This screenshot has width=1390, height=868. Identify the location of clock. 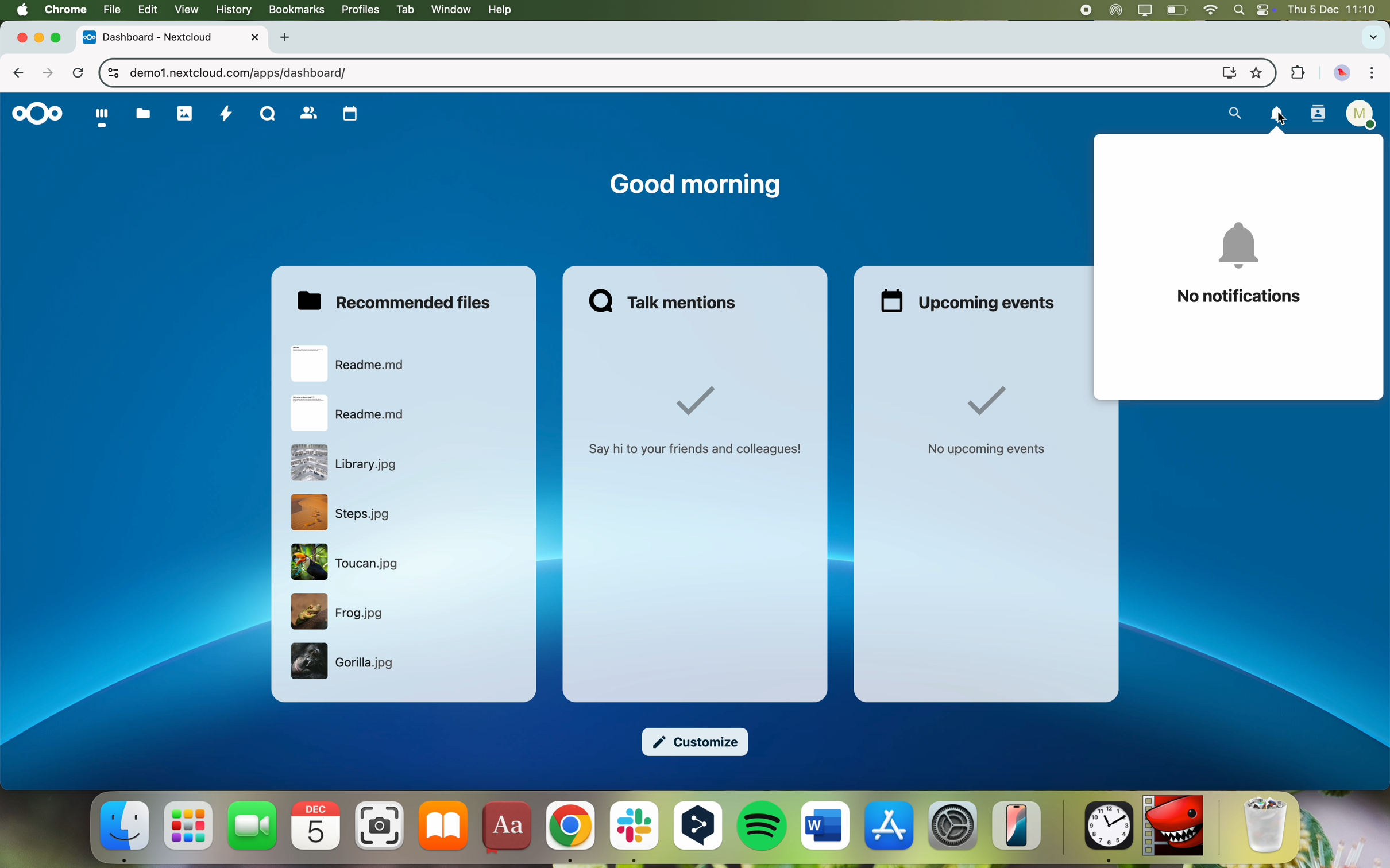
(1106, 834).